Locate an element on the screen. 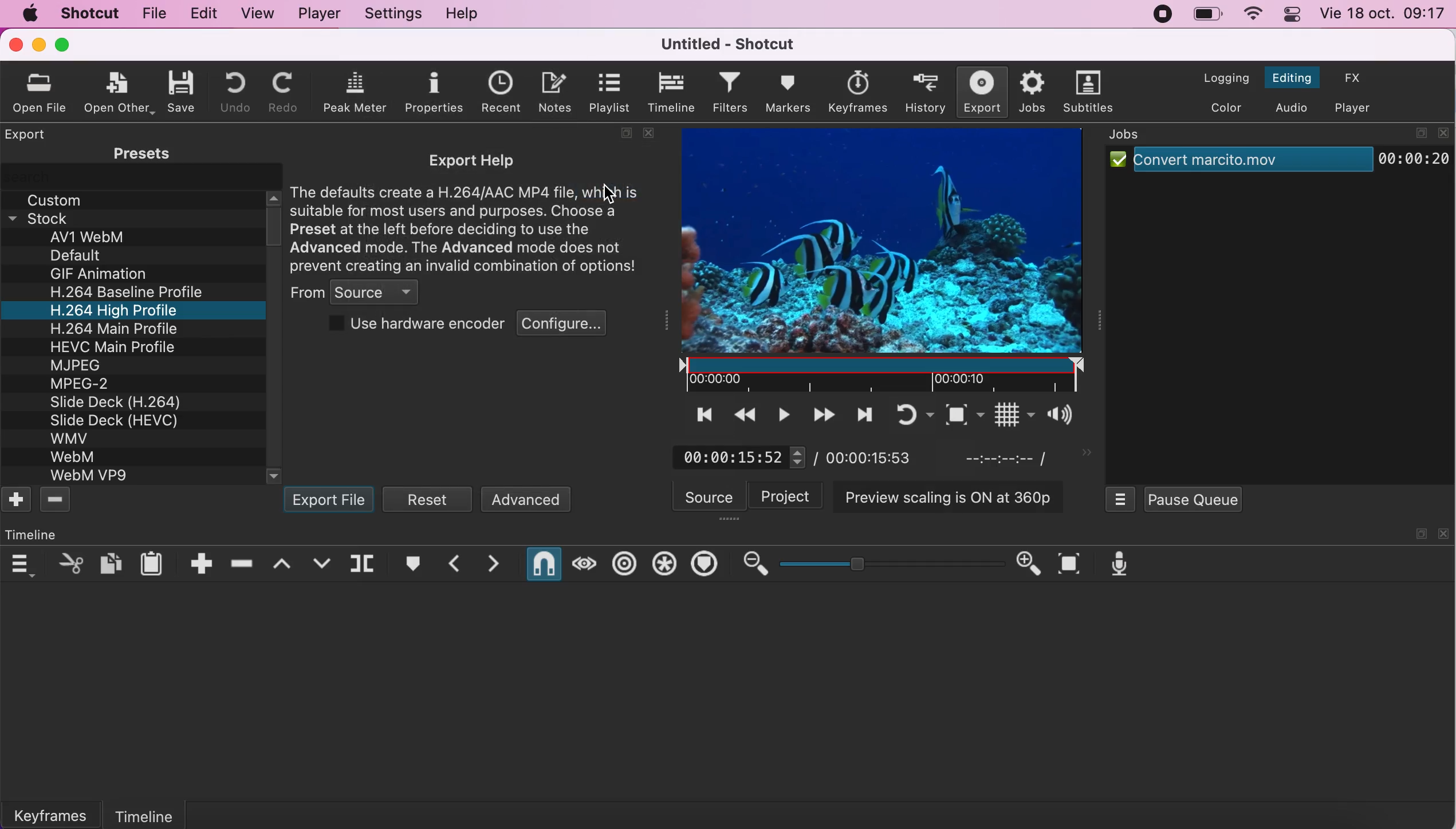 This screenshot has height=829, width=1456. cut is located at coordinates (68, 563).